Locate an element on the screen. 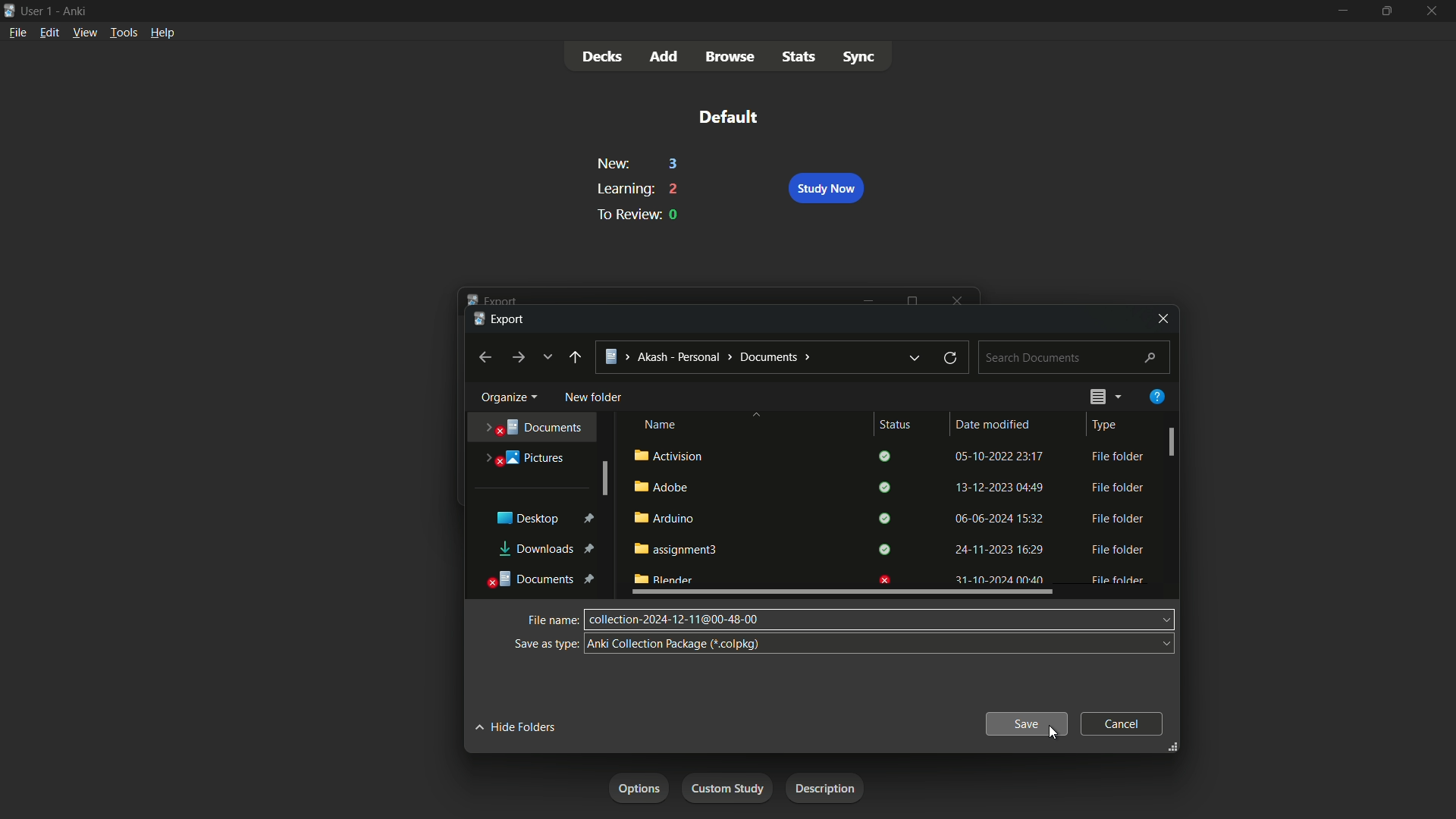  forward is located at coordinates (519, 357).